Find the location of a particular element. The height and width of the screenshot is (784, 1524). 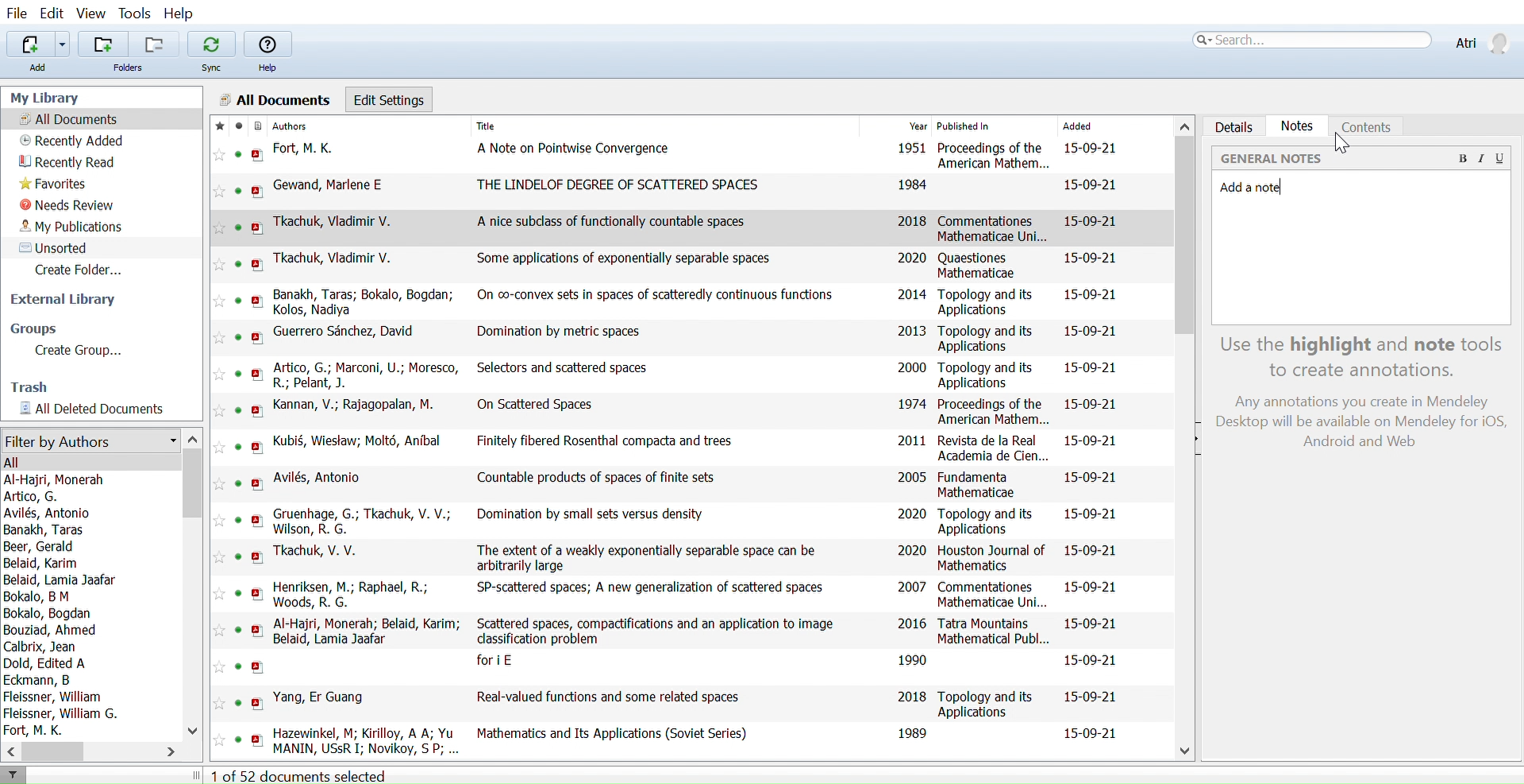

open PDF is located at coordinates (257, 484).